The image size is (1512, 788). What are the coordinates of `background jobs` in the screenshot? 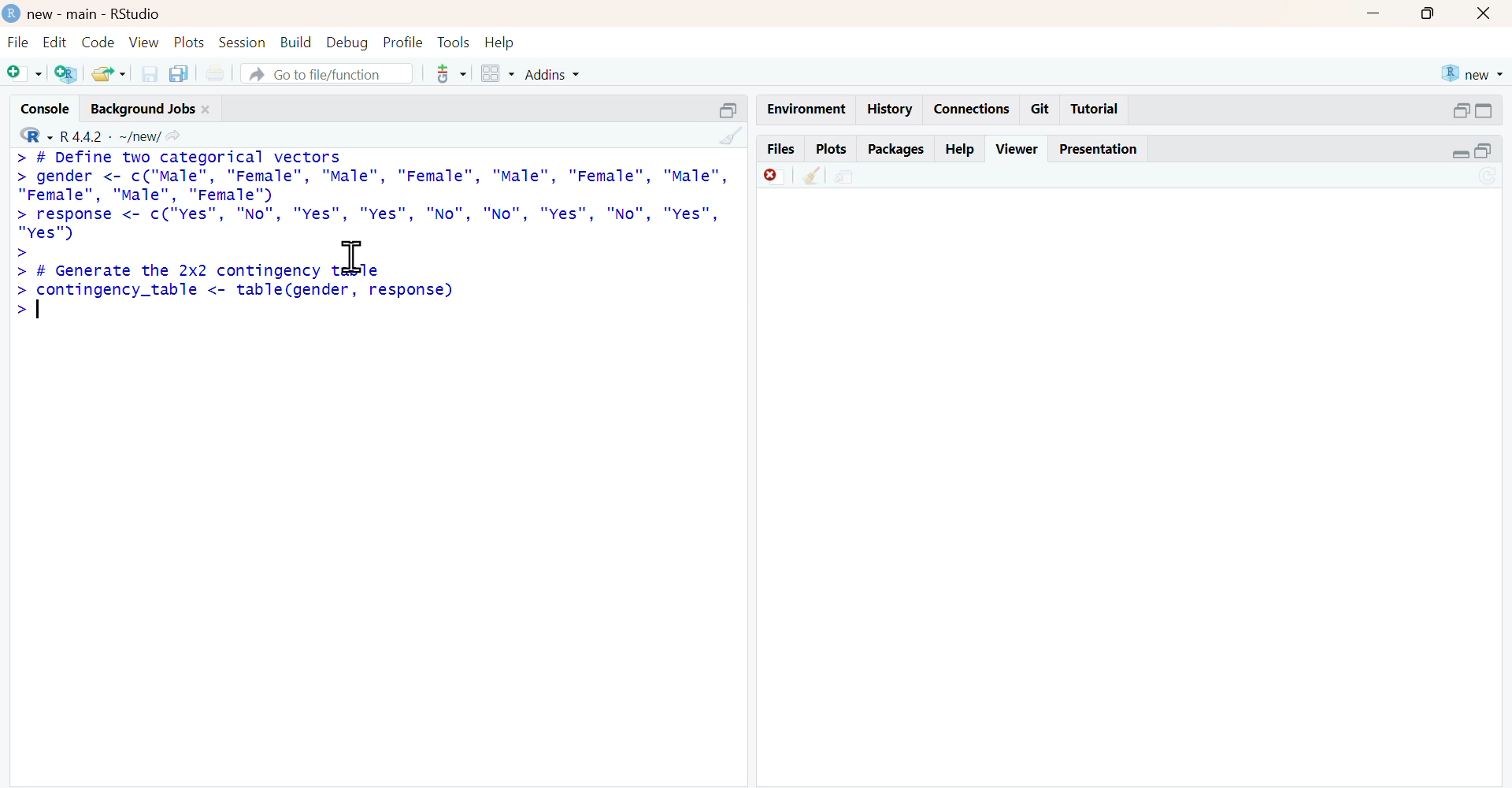 It's located at (143, 109).